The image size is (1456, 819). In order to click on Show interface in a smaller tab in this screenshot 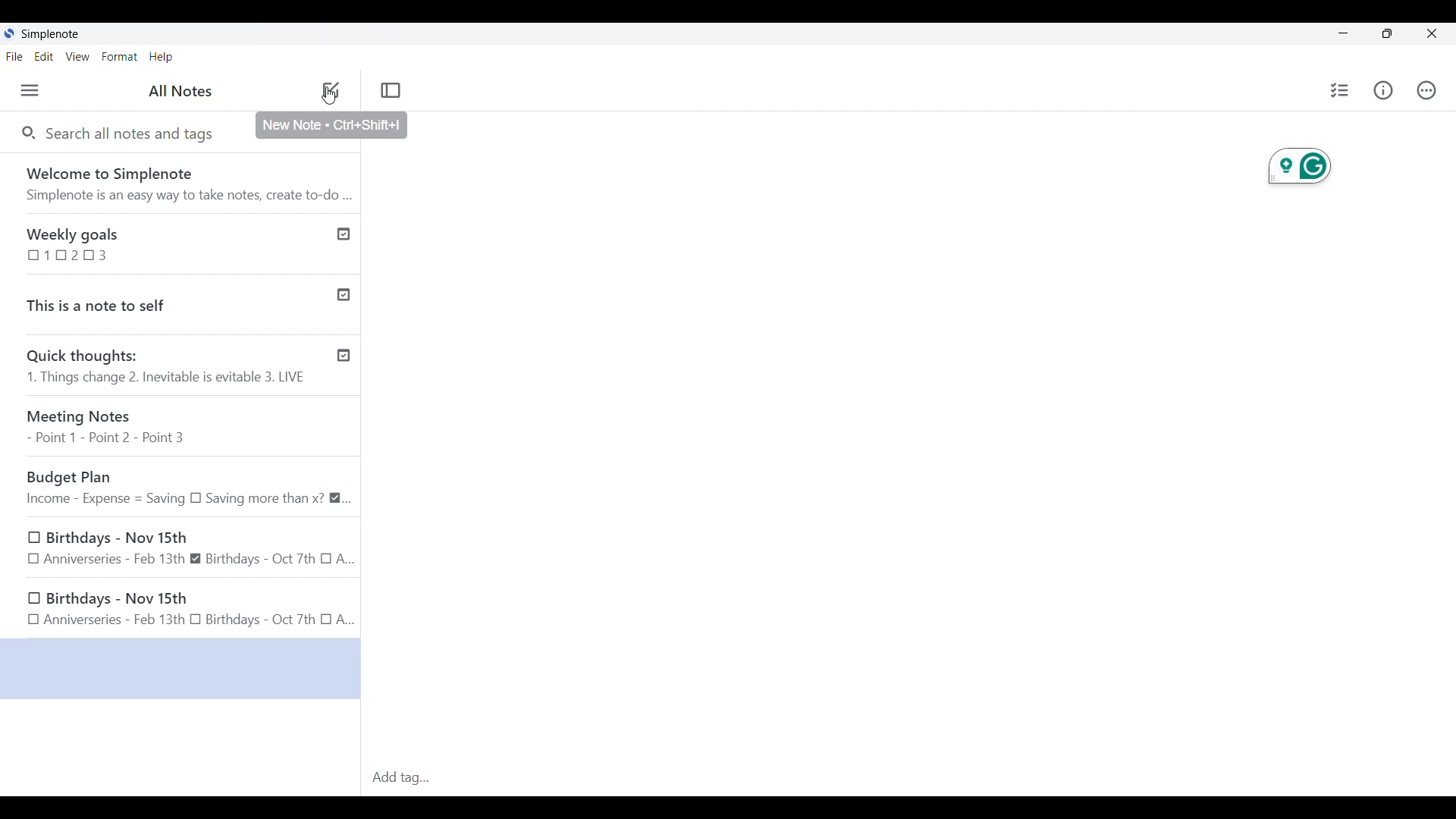, I will do `click(1388, 33)`.